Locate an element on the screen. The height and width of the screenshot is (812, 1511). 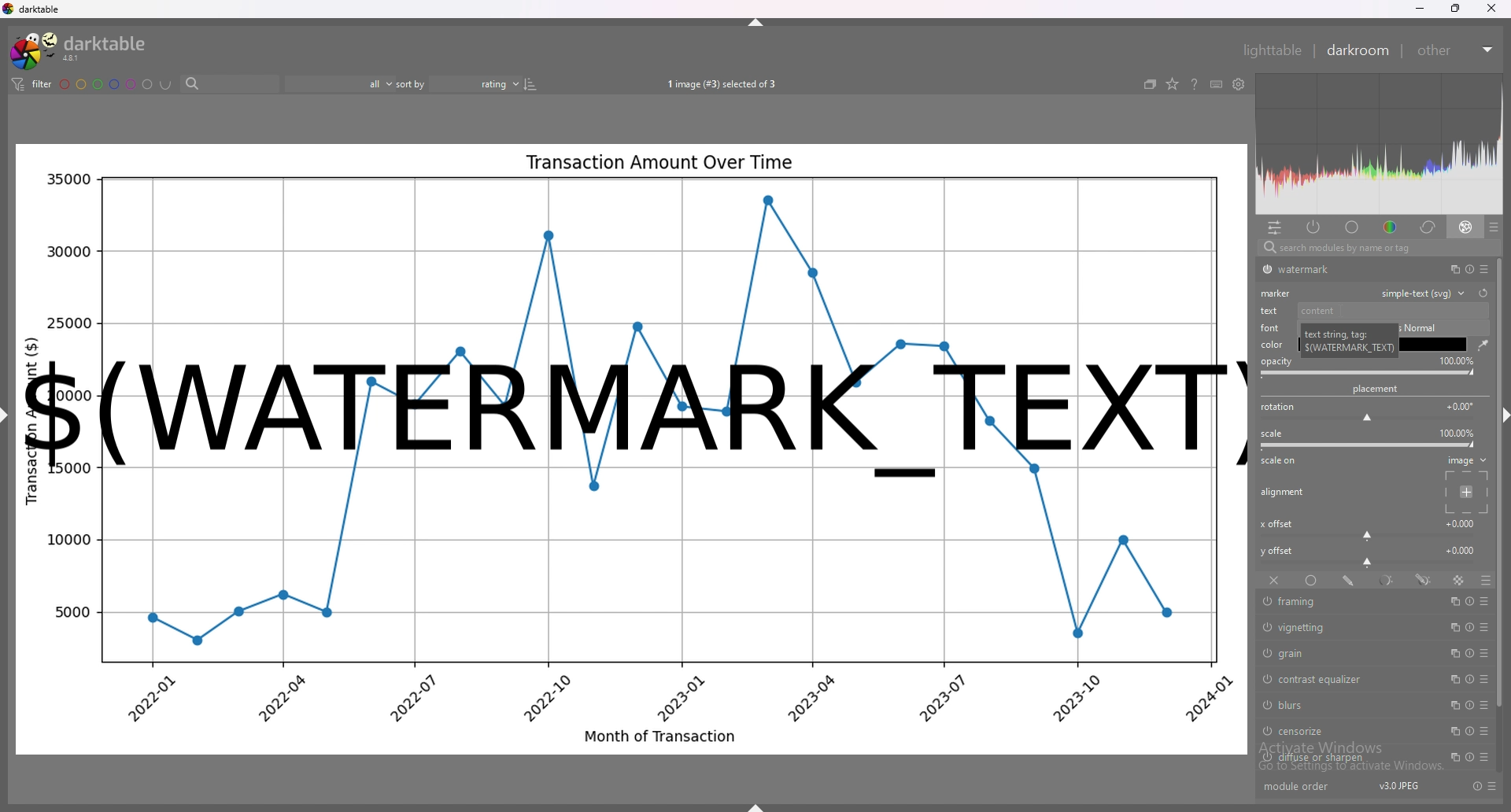
description box is located at coordinates (1349, 340).